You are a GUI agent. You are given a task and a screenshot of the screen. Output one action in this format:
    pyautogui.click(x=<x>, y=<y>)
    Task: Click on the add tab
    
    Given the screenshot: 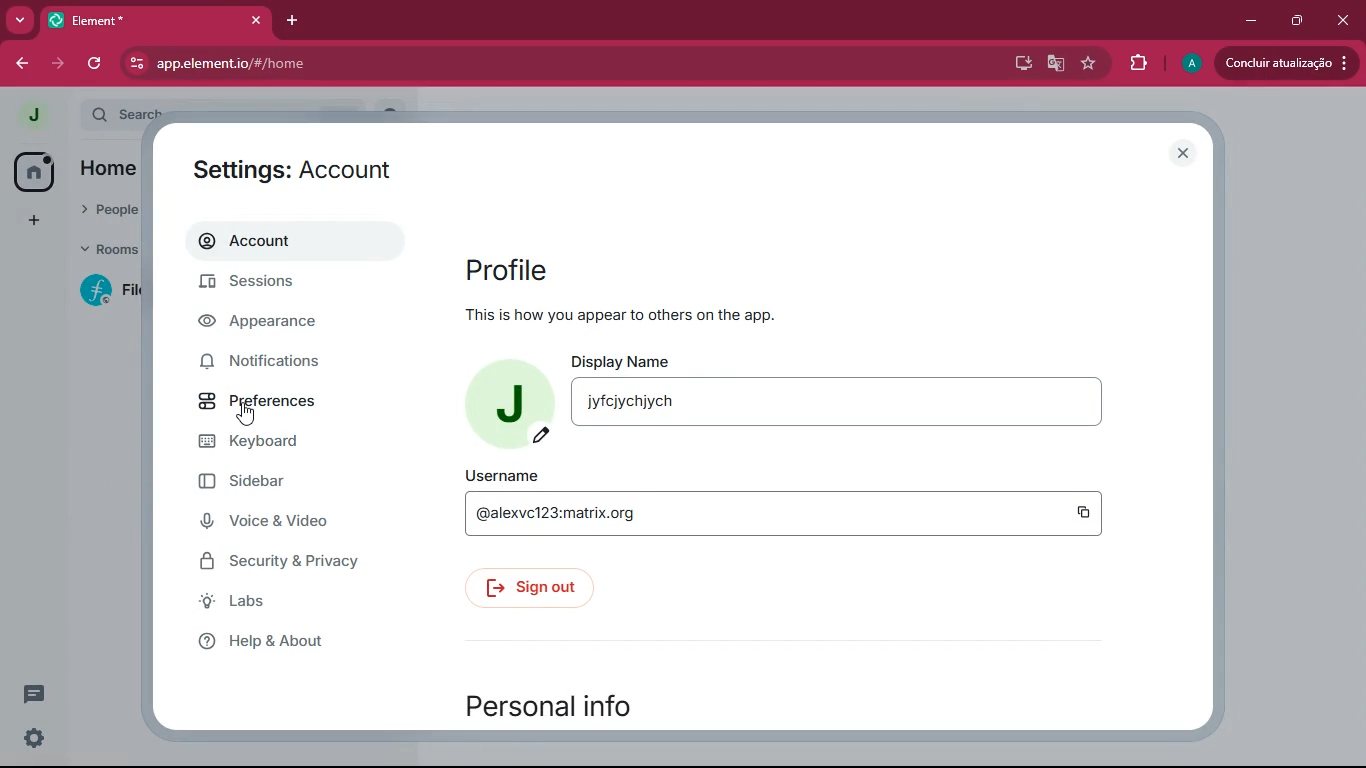 What is the action you would take?
    pyautogui.click(x=299, y=19)
    